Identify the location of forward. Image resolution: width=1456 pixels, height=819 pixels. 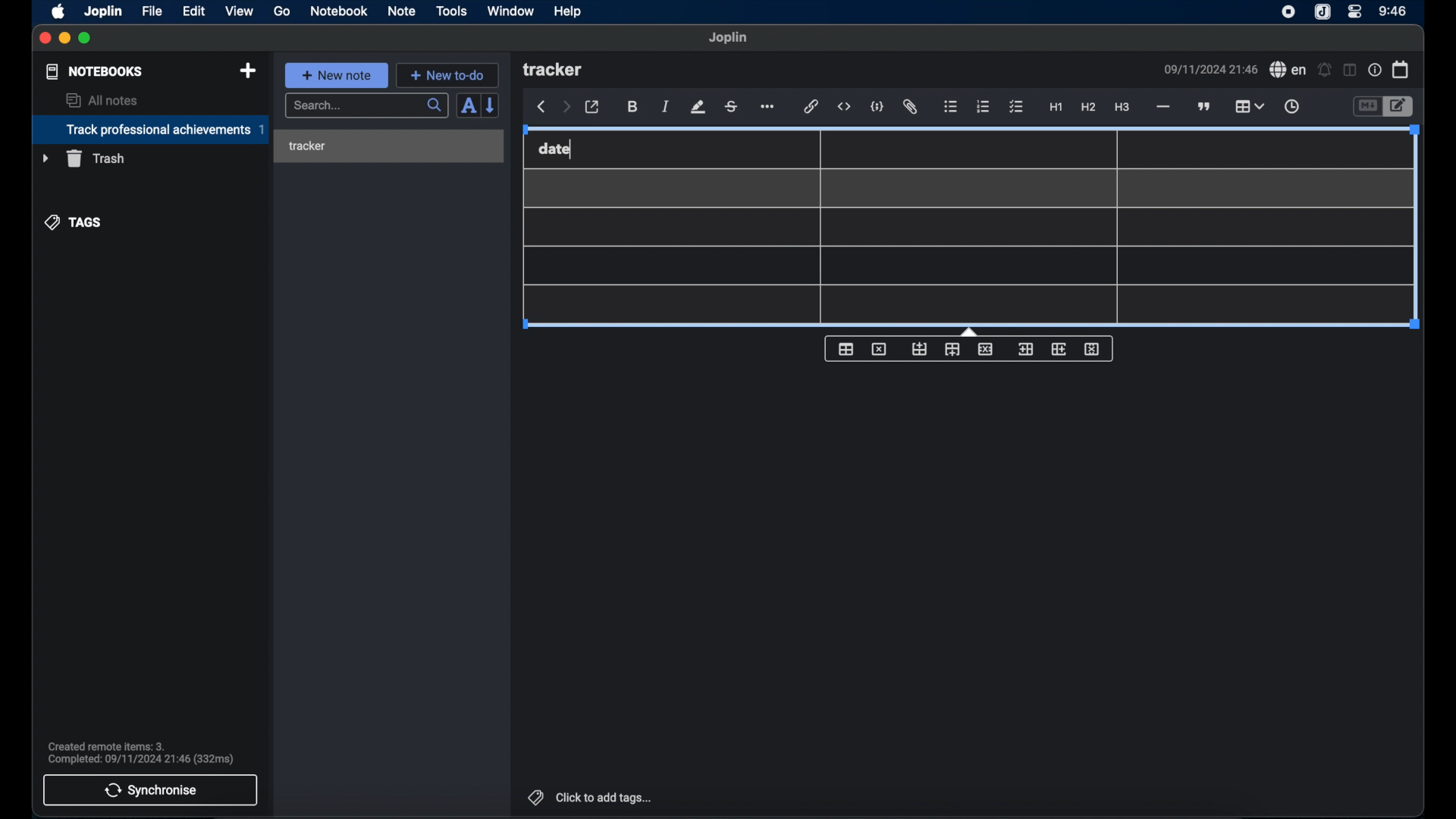
(566, 108).